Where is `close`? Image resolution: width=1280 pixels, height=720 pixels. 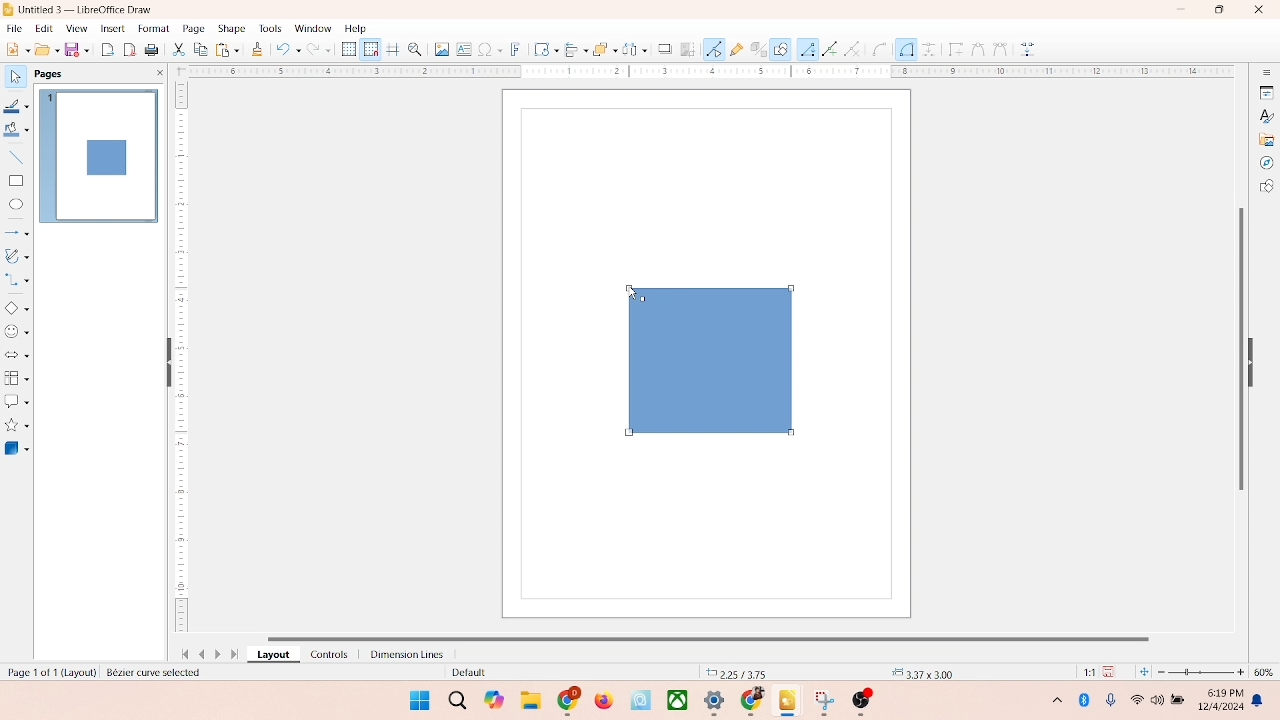
close is located at coordinates (156, 73).